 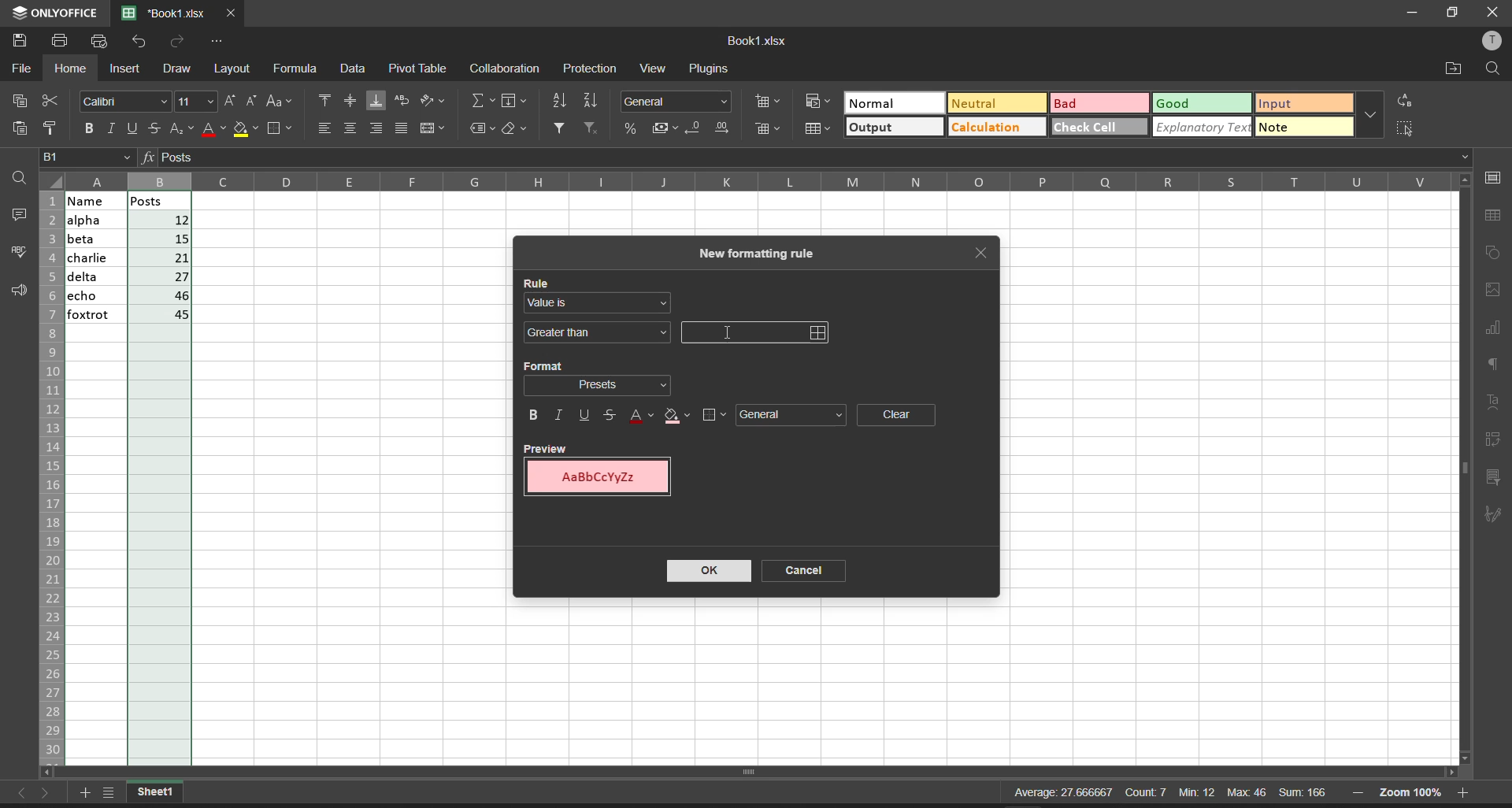 What do you see at coordinates (280, 102) in the screenshot?
I see `change case` at bounding box center [280, 102].